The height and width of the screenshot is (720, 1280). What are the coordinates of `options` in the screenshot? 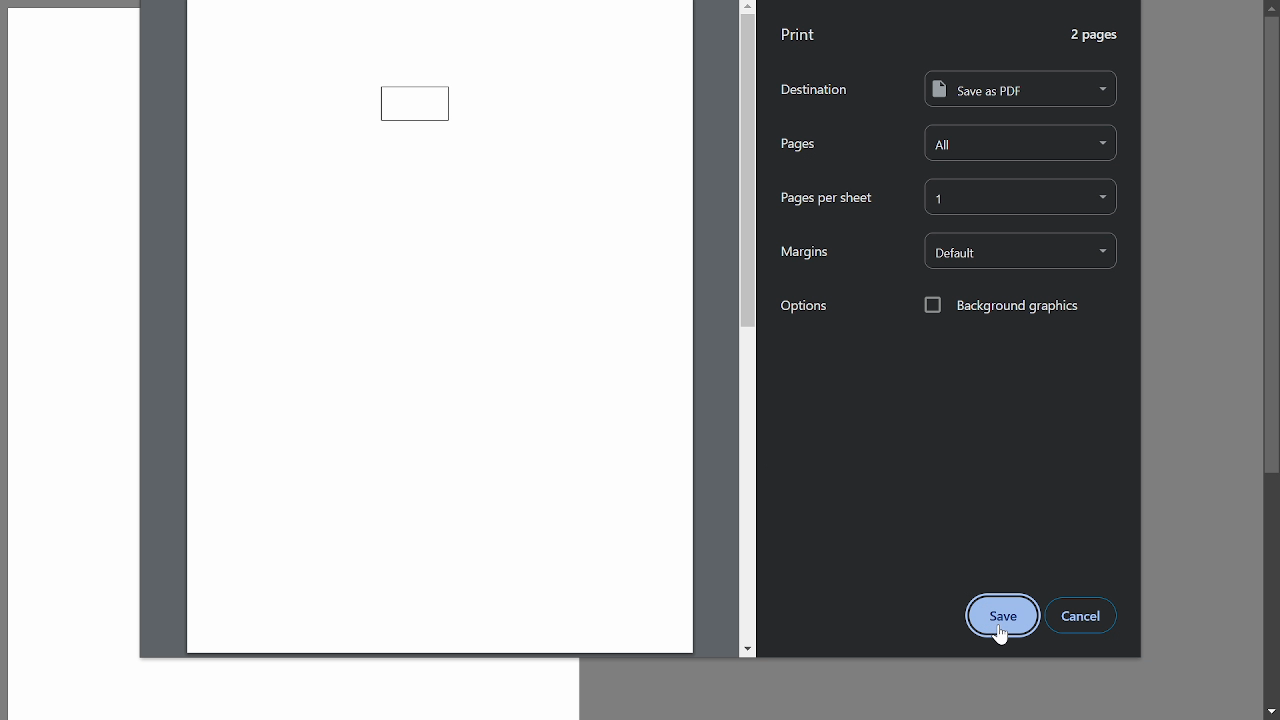 It's located at (804, 305).